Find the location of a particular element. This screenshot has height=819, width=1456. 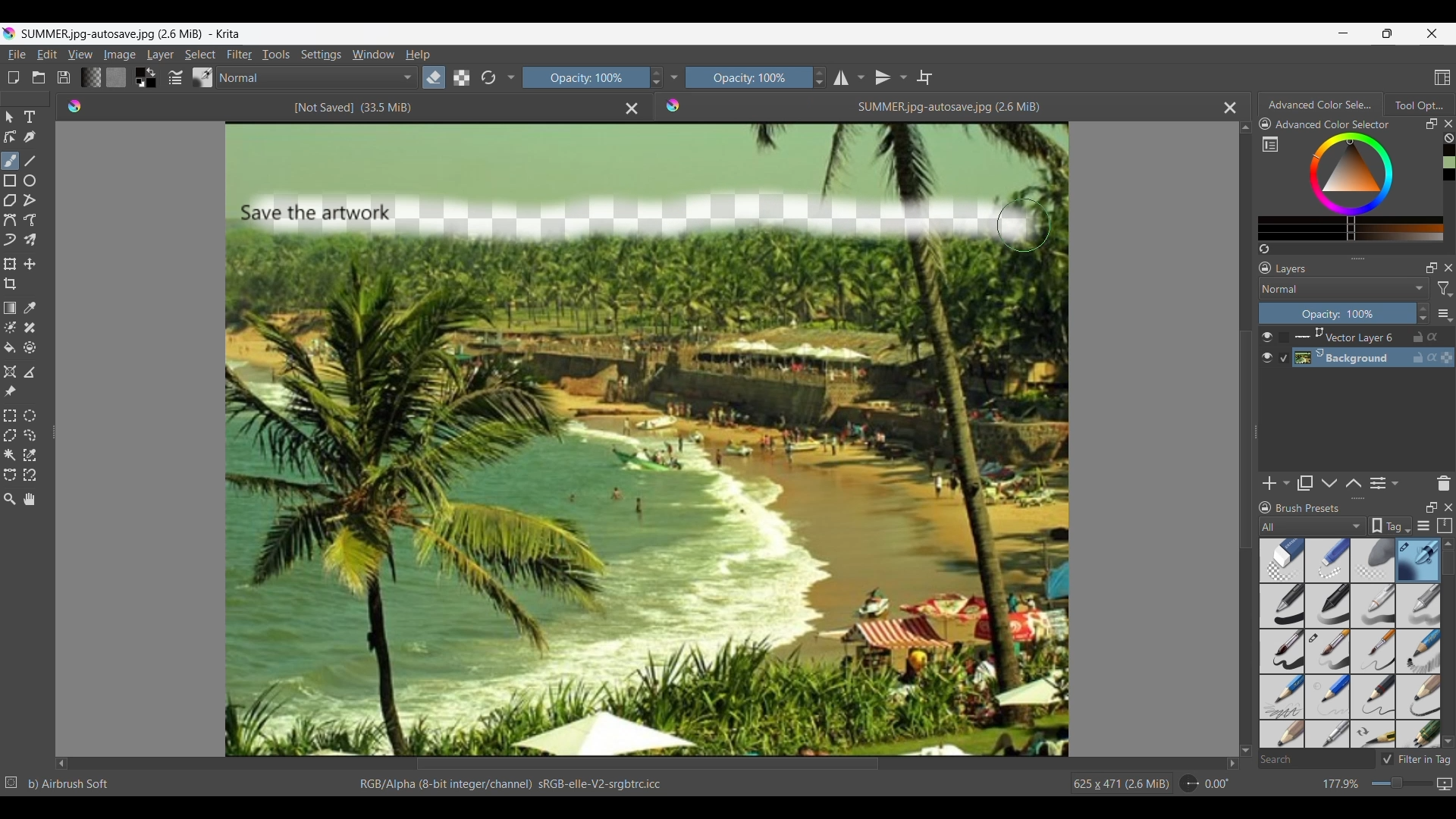

Type tool is located at coordinates (30, 117).